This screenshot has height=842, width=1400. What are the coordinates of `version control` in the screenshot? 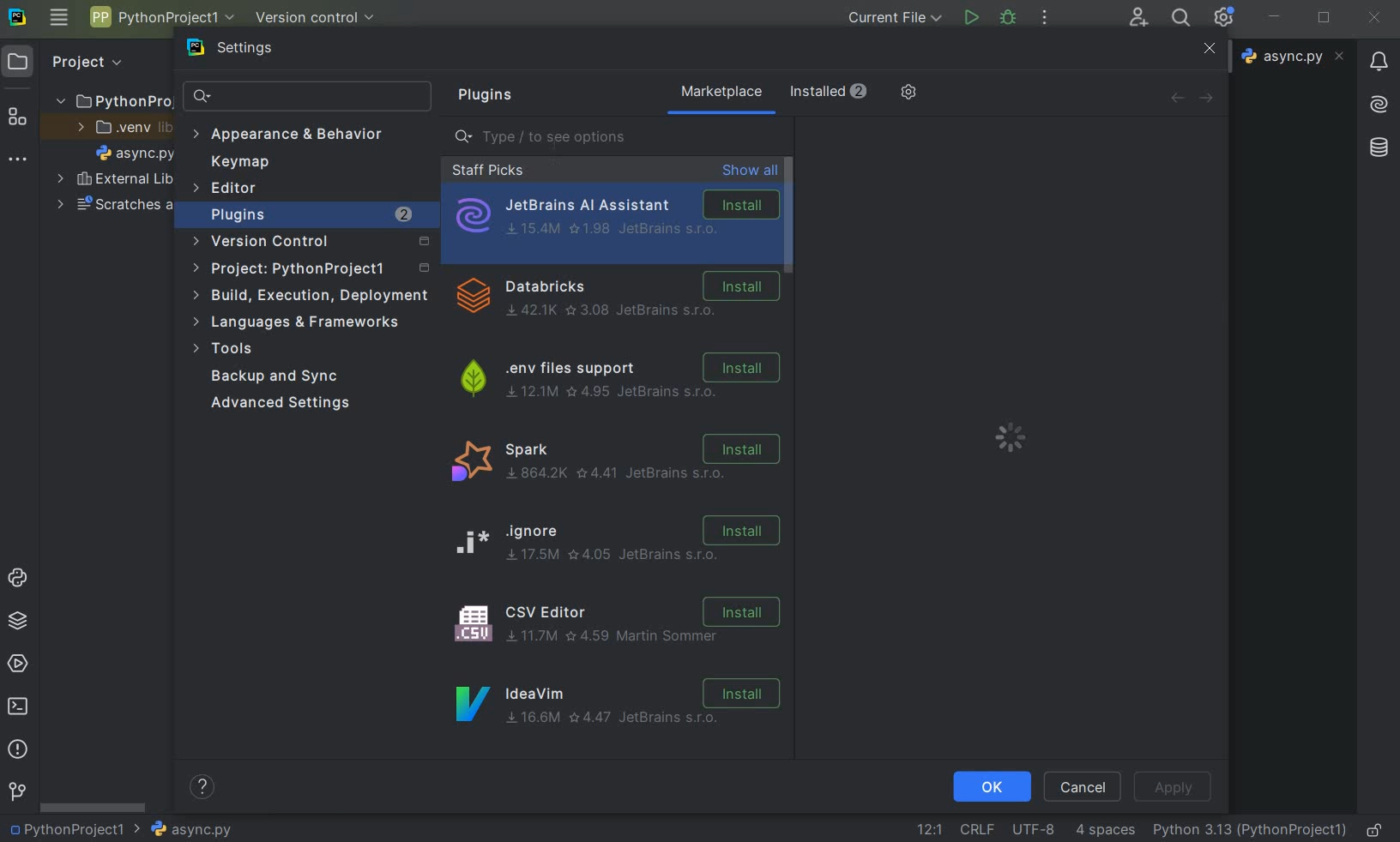 It's located at (311, 244).